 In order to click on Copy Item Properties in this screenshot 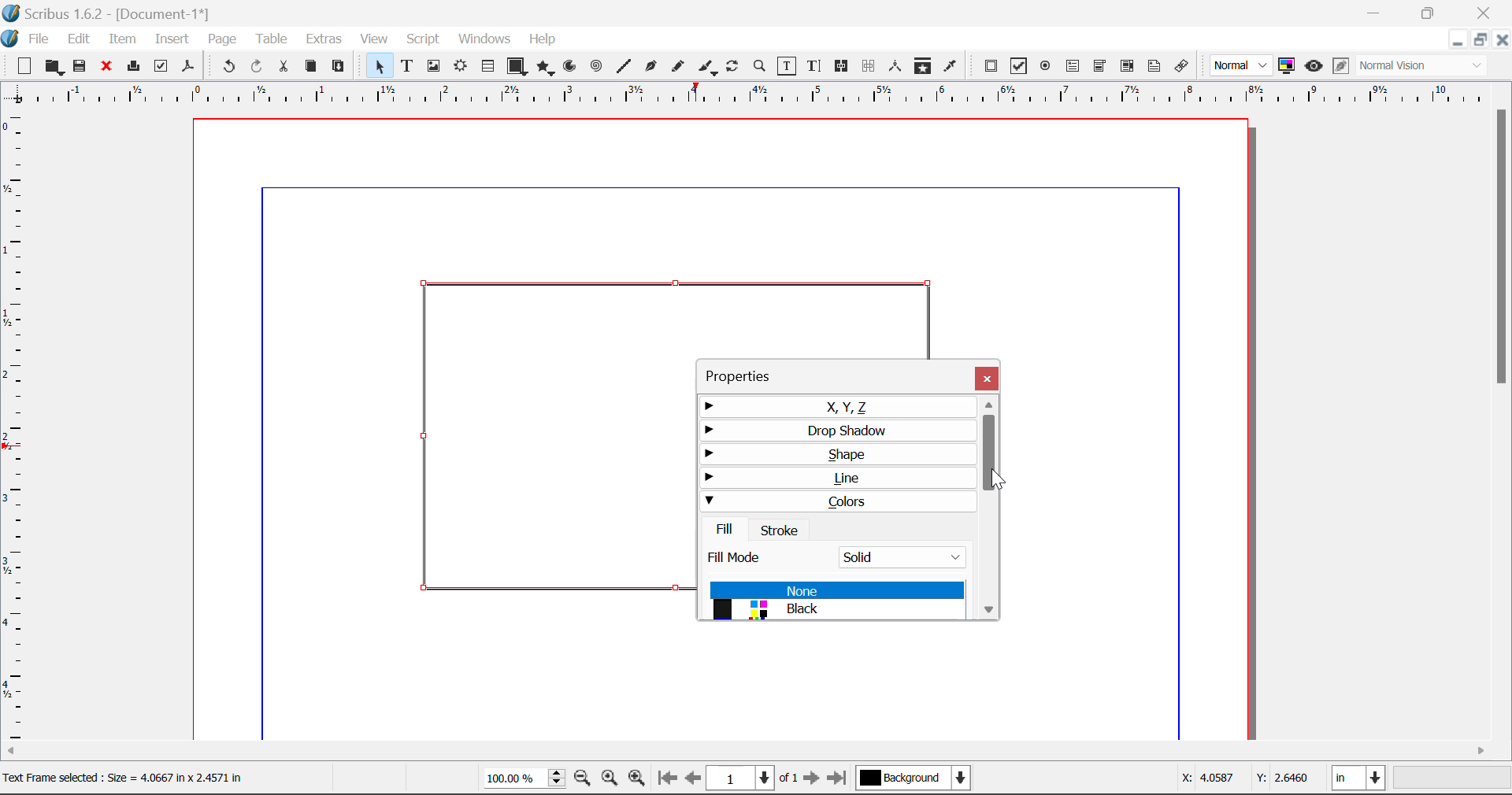, I will do `click(922, 66)`.